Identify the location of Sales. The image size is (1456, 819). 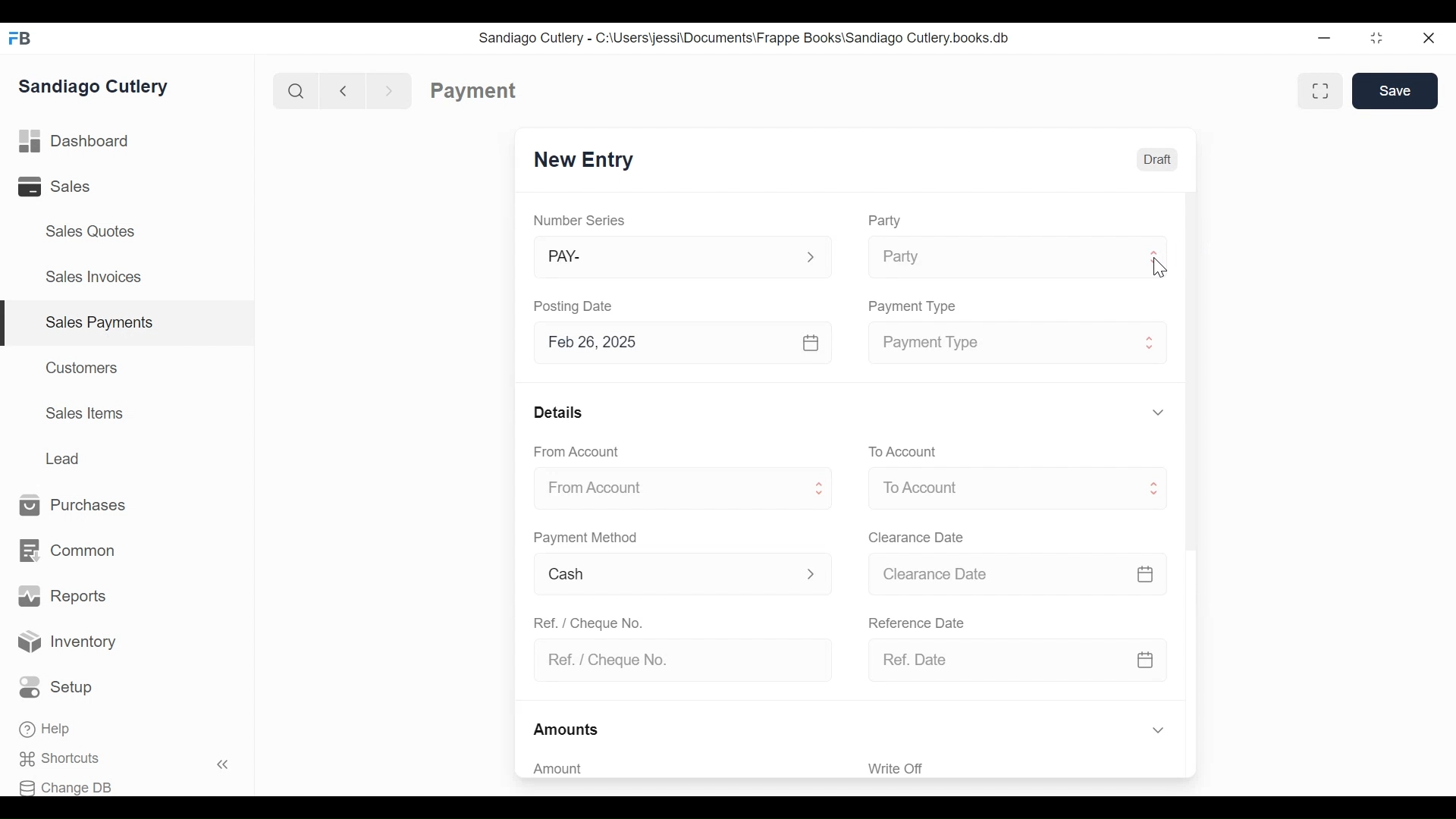
(65, 187).